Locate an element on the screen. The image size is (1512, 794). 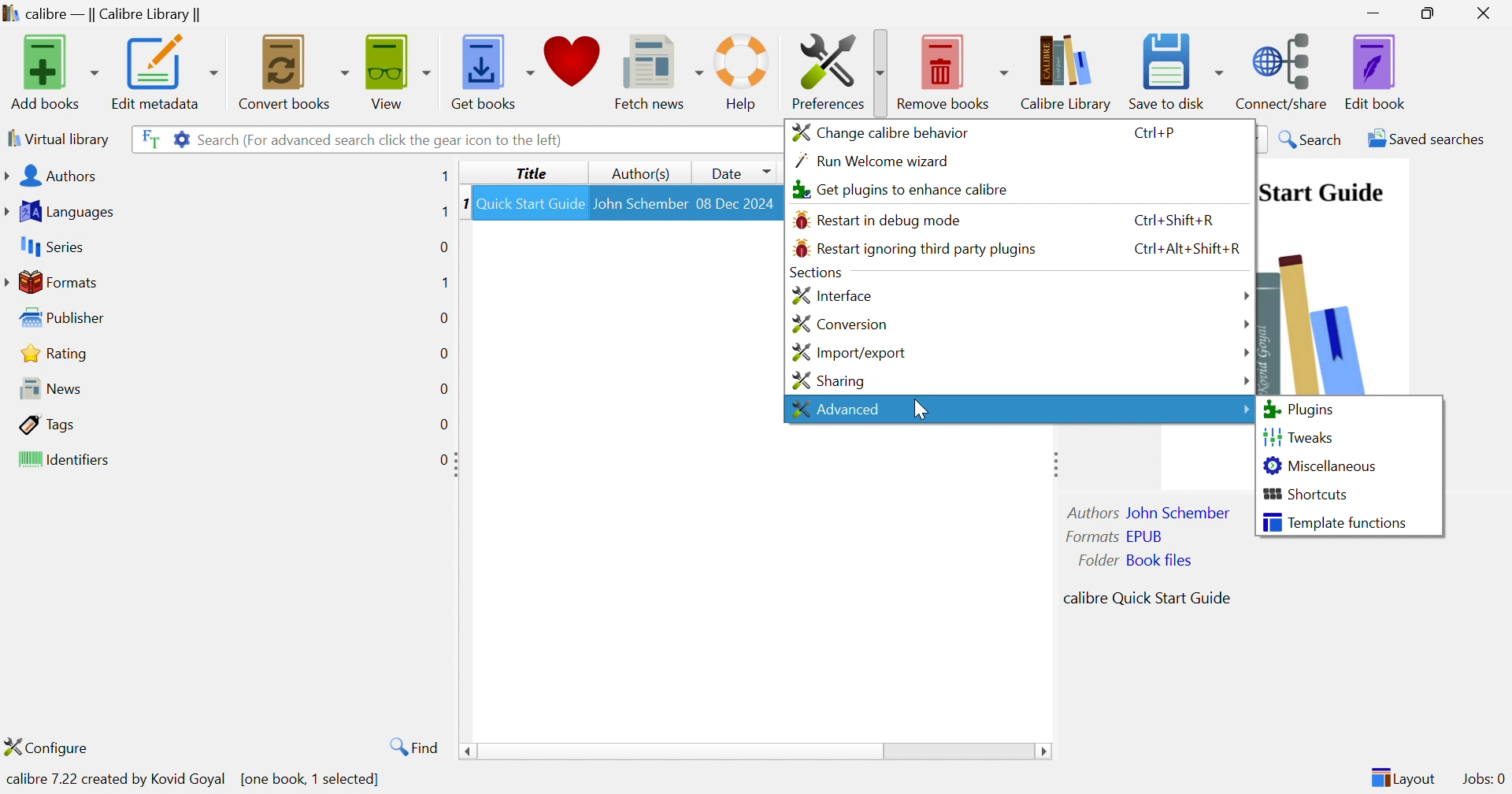
Quick Start Guide is located at coordinates (1321, 192).